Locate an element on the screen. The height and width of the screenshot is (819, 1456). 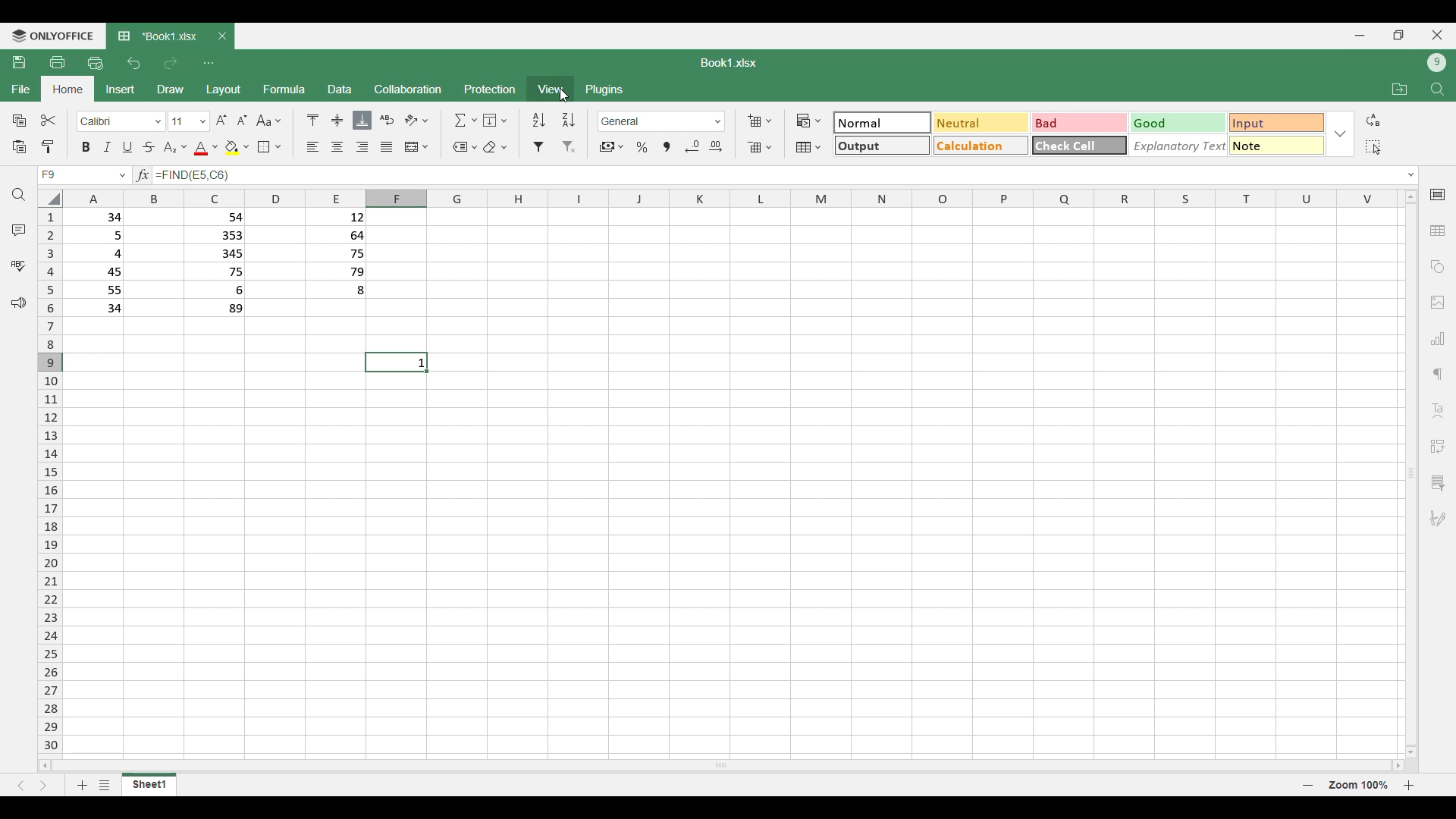
Comma style is located at coordinates (667, 147).